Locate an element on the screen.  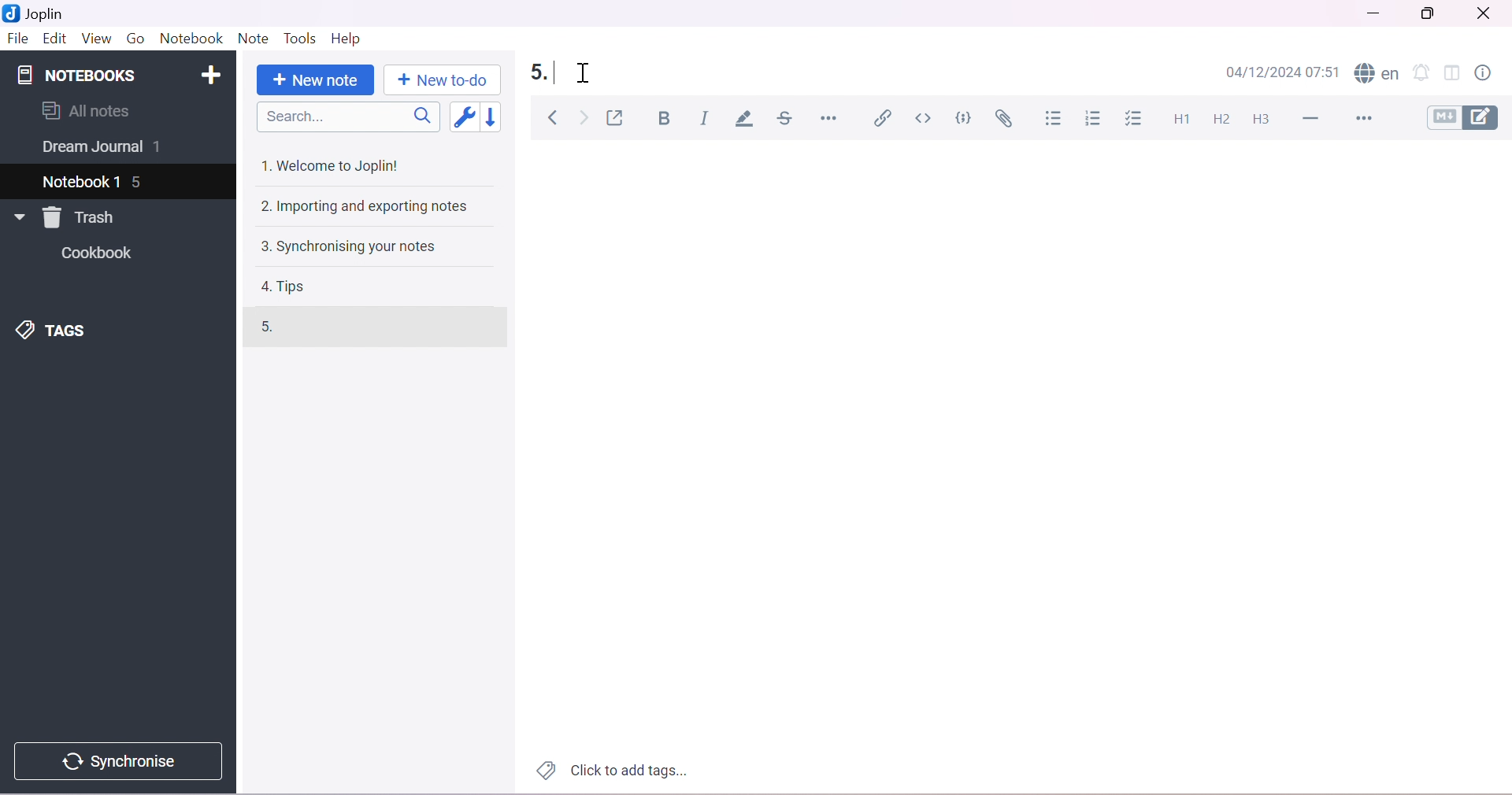
3. Synchronising your notes is located at coordinates (347, 248).